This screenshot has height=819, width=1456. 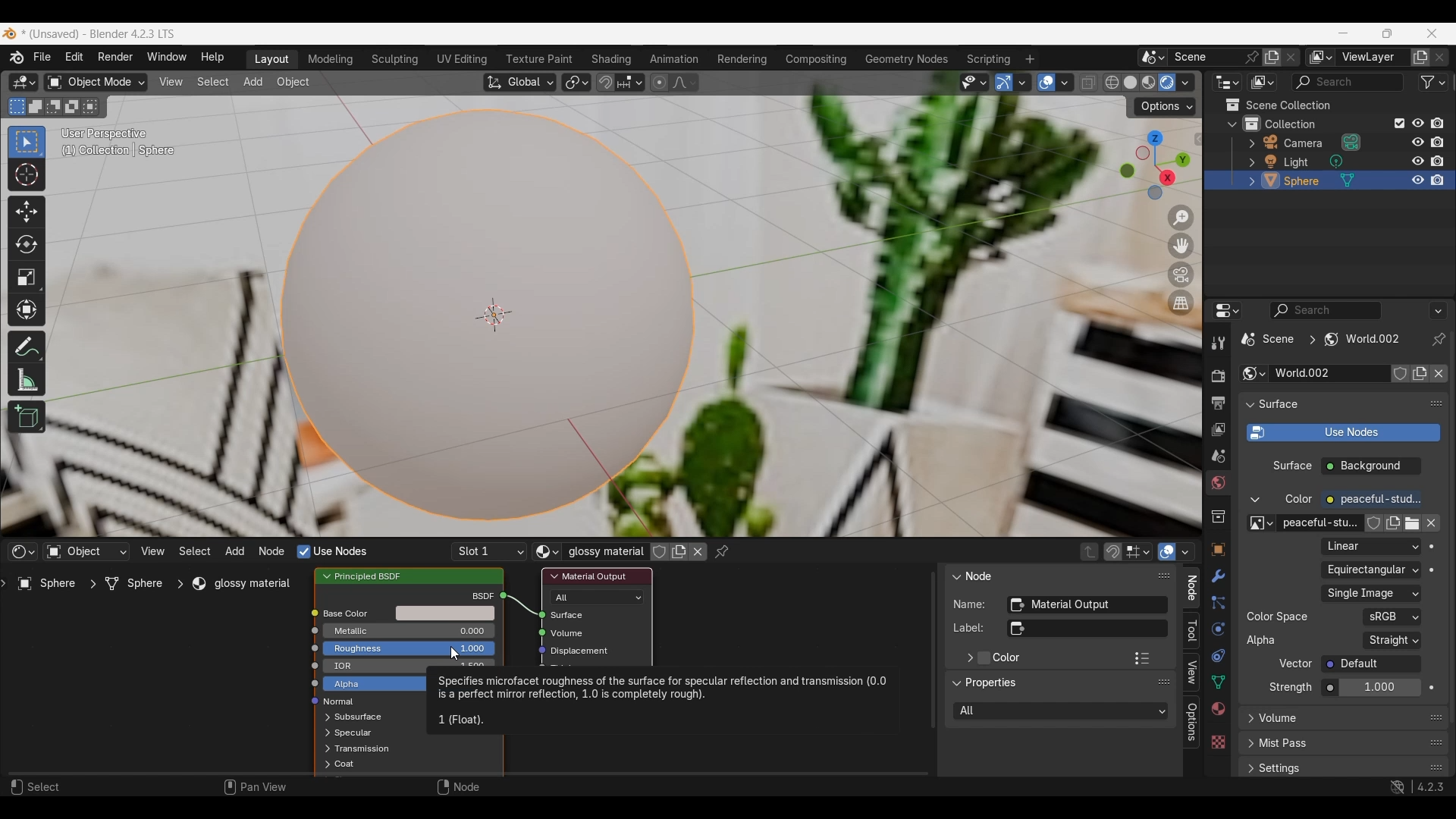 I want to click on Delete scene, so click(x=1291, y=57).